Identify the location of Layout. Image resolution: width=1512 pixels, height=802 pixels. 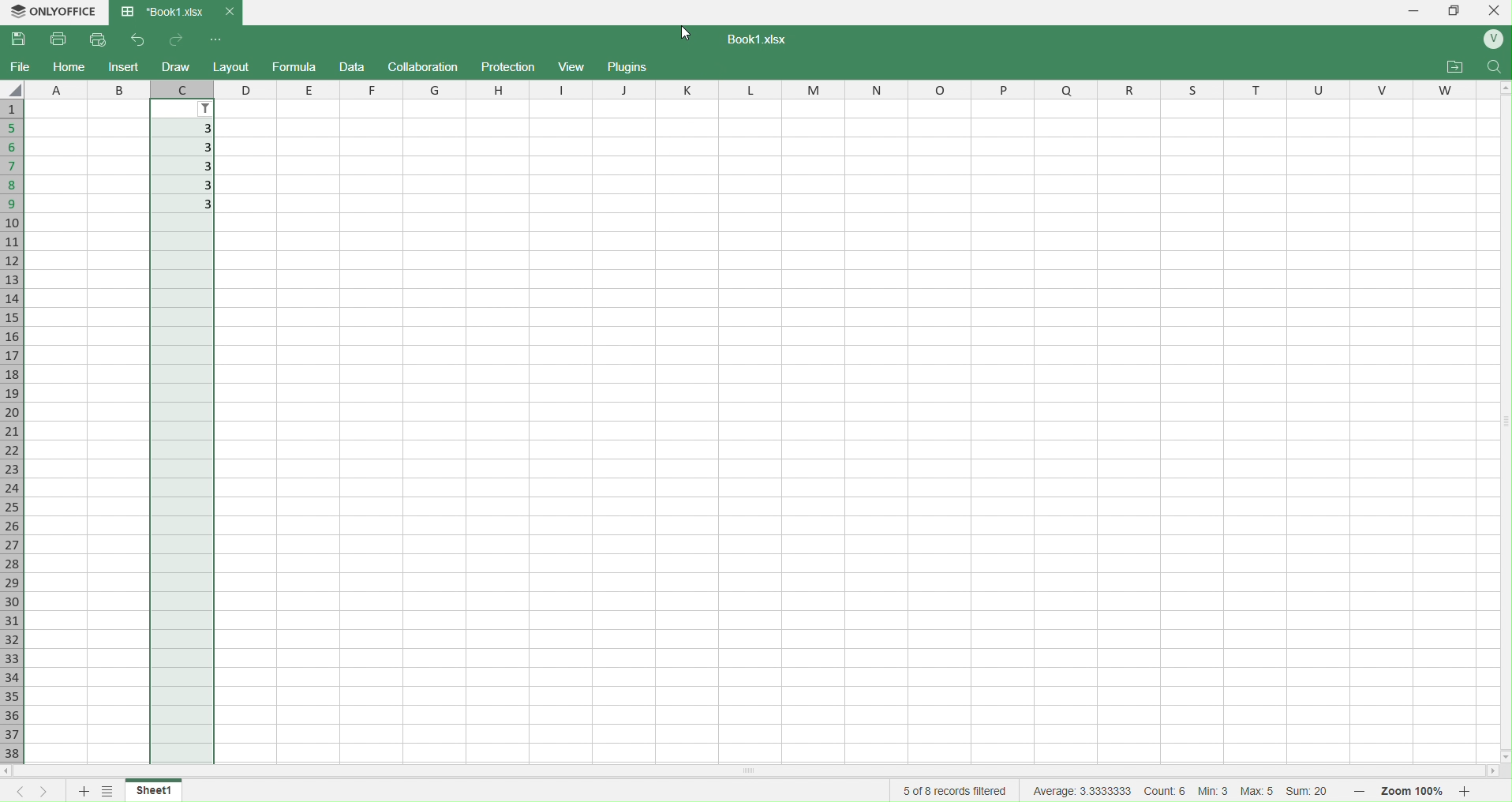
(232, 67).